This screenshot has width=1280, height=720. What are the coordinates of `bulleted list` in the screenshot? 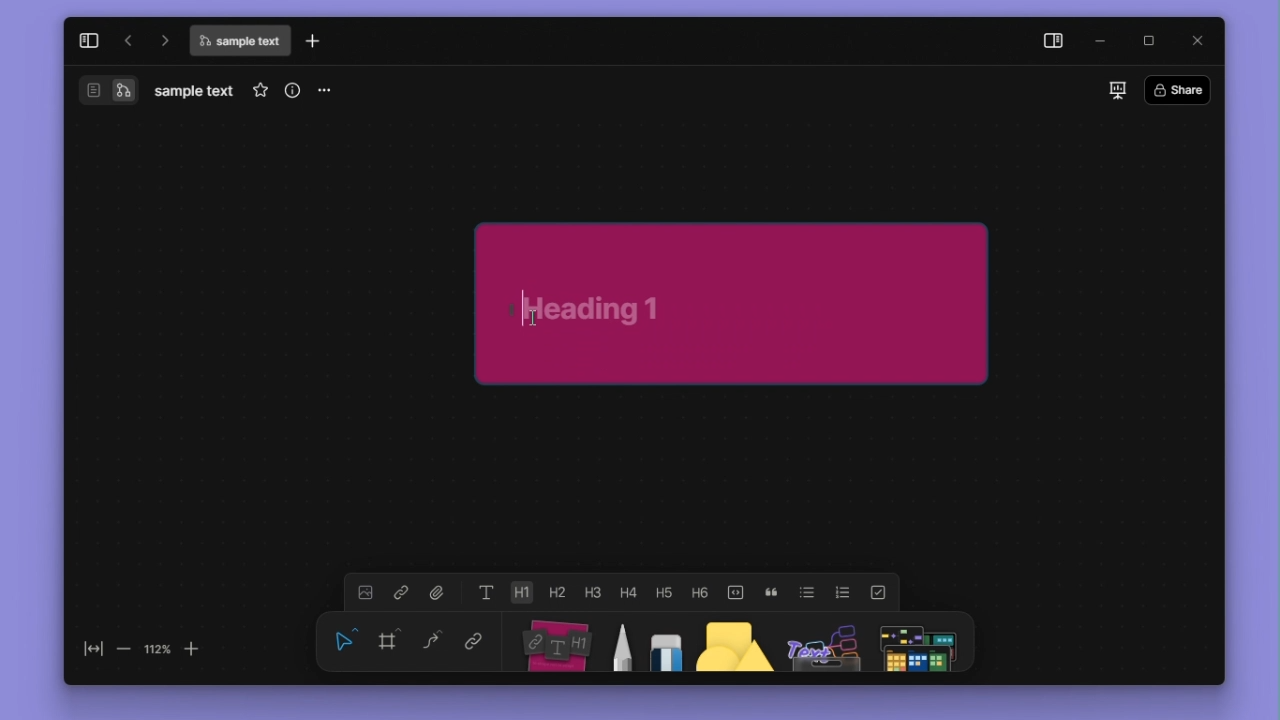 It's located at (807, 592).